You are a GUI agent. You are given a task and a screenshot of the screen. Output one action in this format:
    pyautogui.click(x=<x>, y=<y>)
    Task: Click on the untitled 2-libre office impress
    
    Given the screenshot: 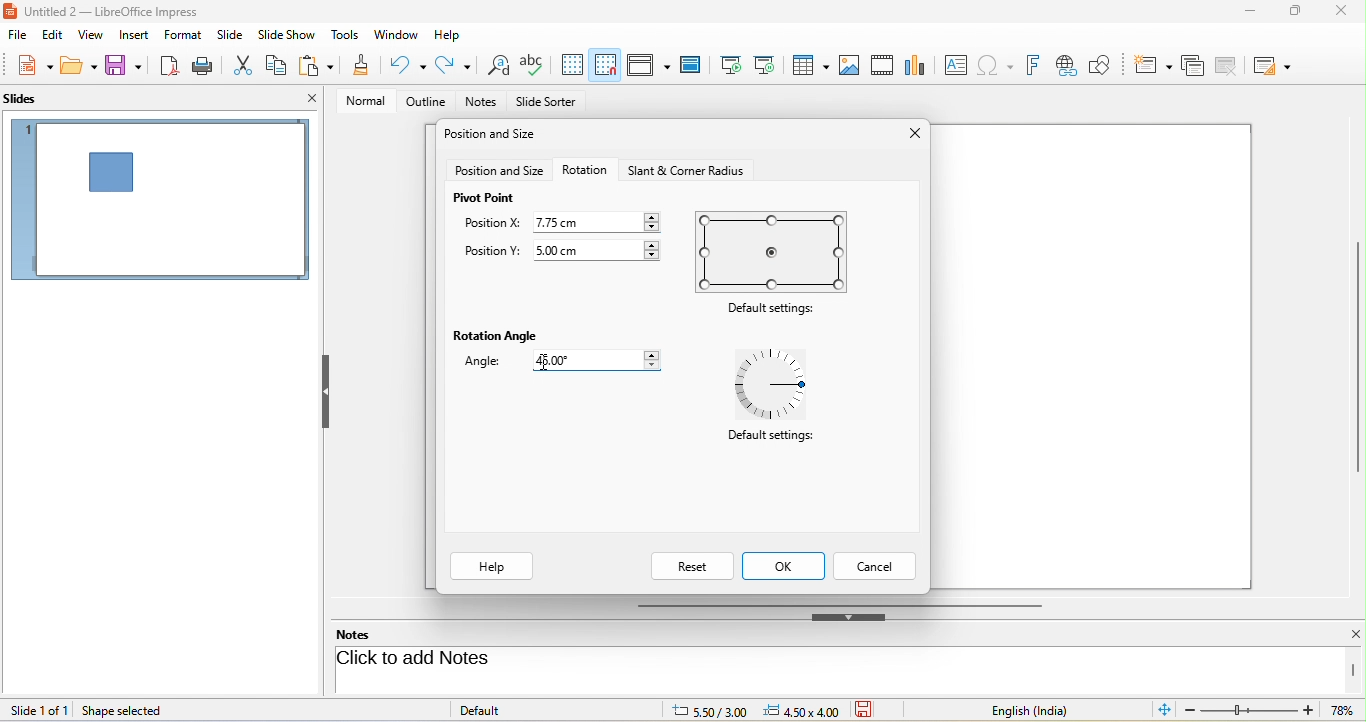 What is the action you would take?
    pyautogui.click(x=123, y=10)
    